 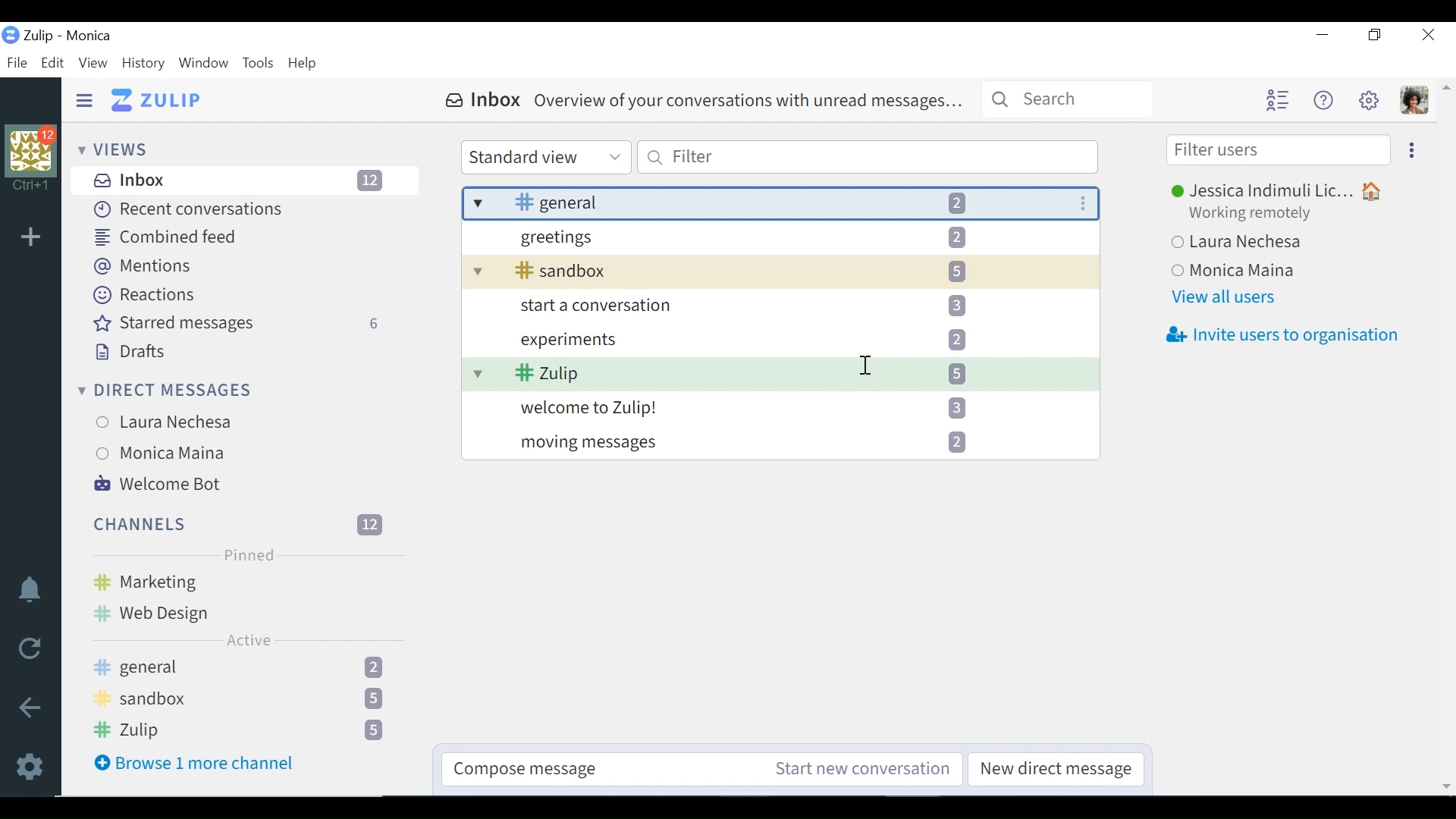 What do you see at coordinates (1414, 100) in the screenshot?
I see `Personal menu` at bounding box center [1414, 100].